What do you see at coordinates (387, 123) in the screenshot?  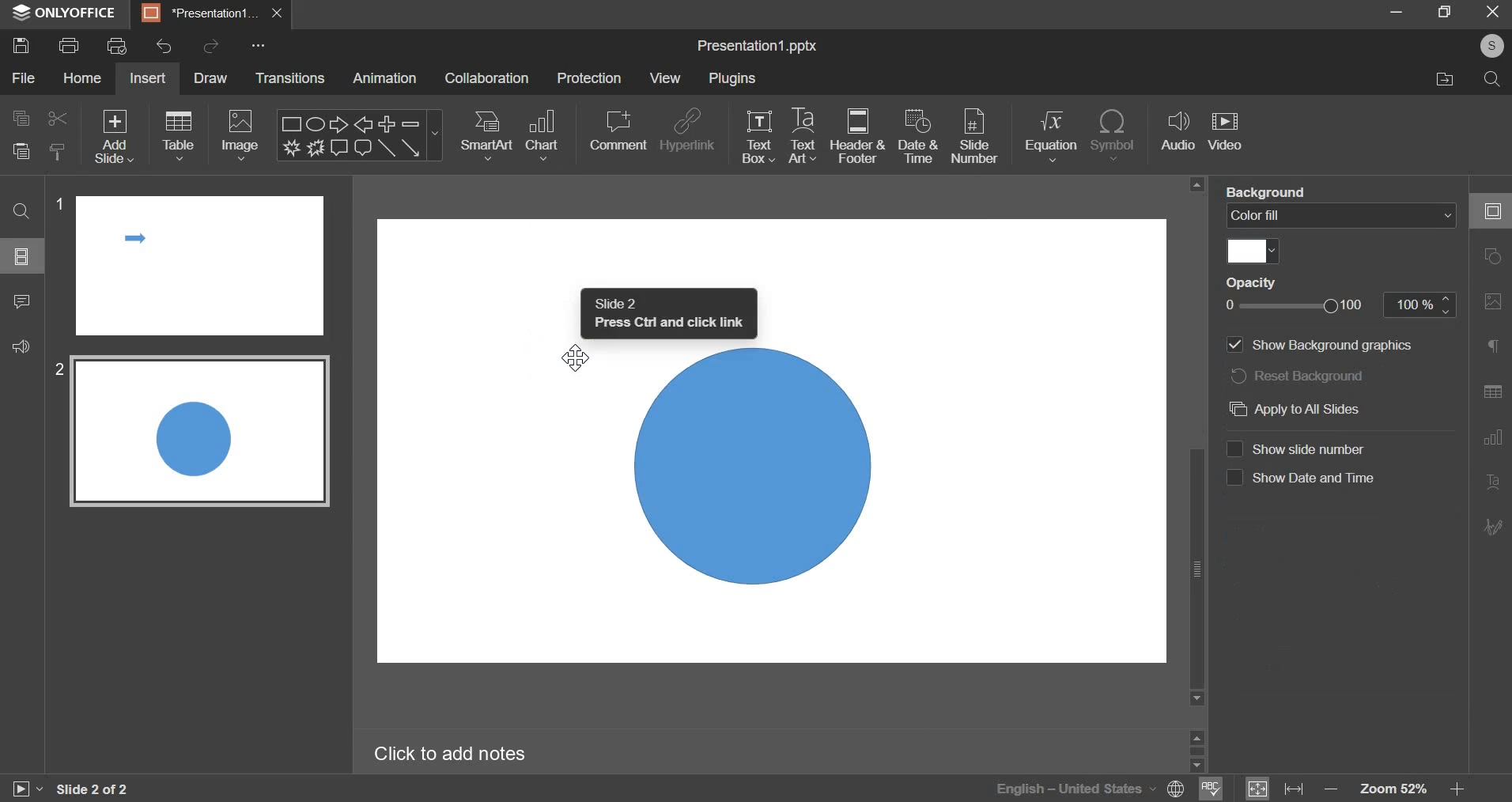 I see `Plus` at bounding box center [387, 123].